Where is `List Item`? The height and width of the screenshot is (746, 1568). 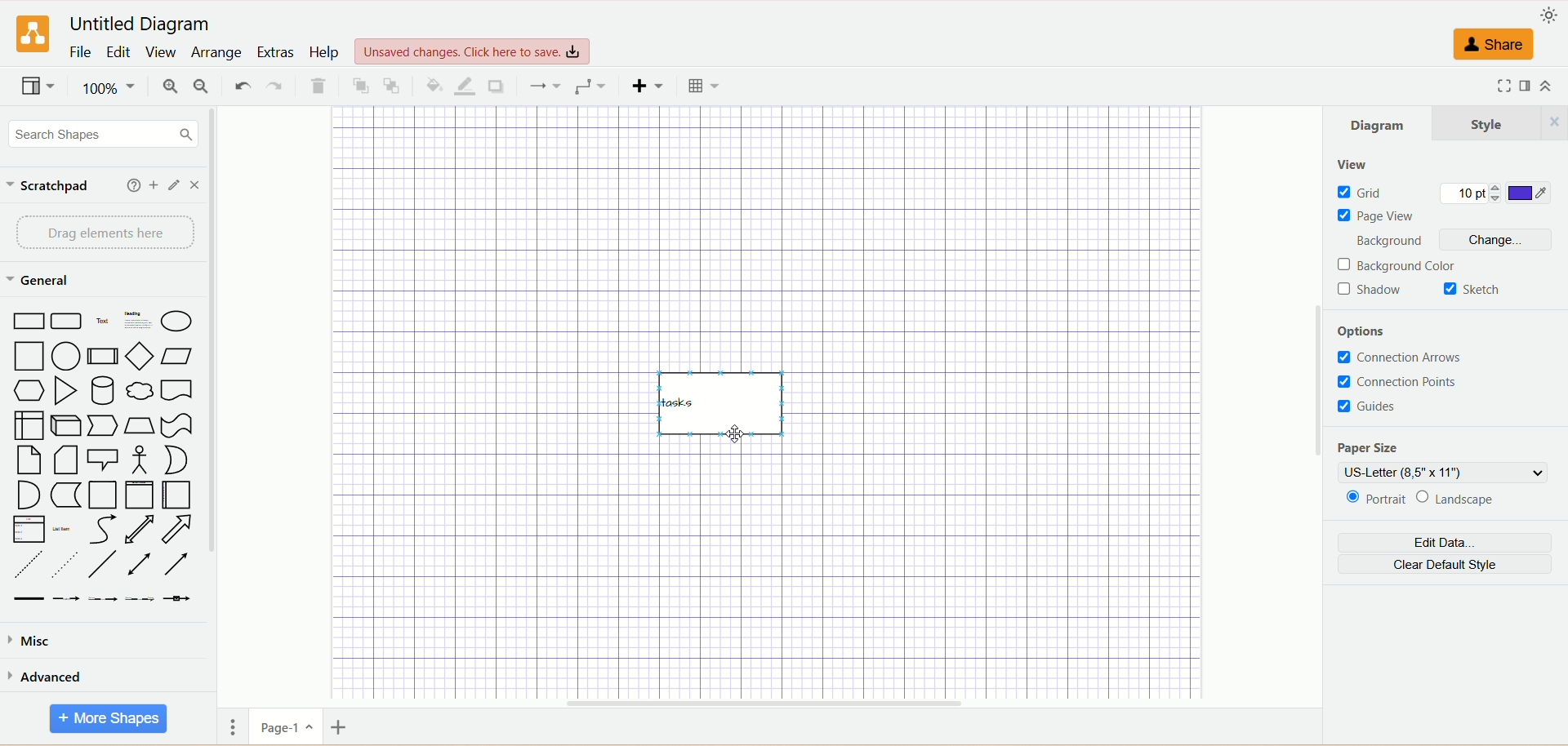
List Item is located at coordinates (61, 531).